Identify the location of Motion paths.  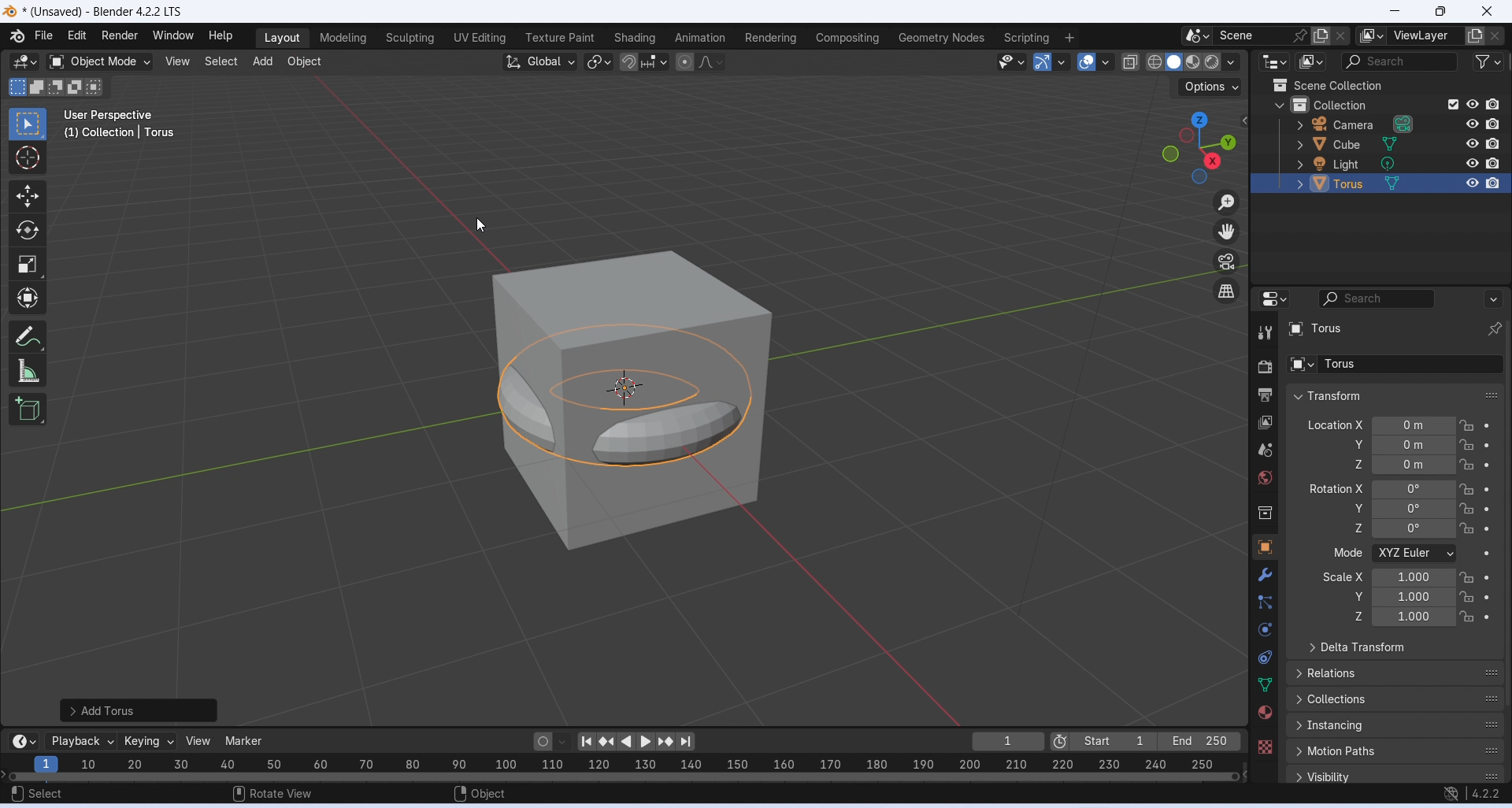
(1396, 753).